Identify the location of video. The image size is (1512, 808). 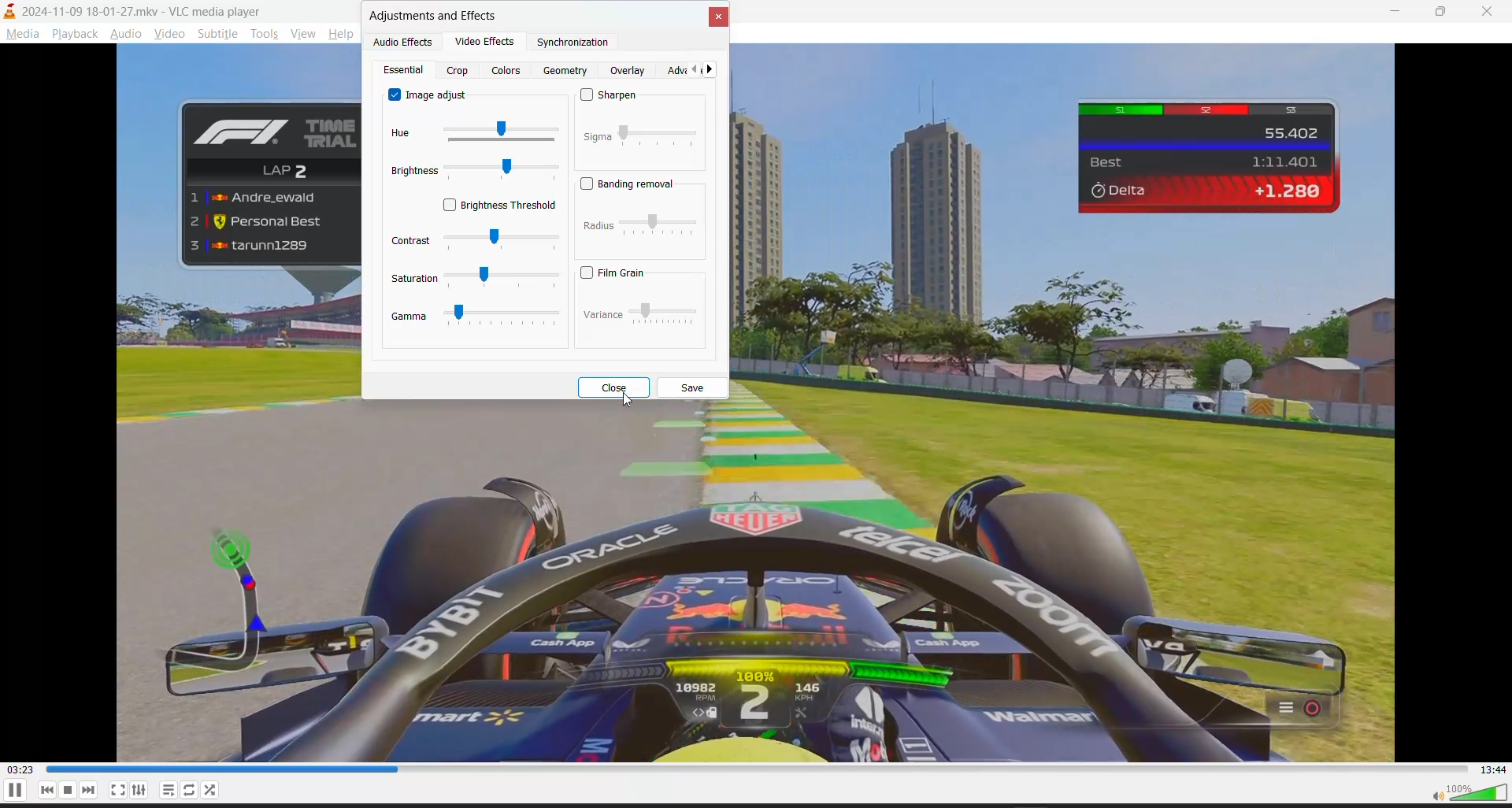
(169, 32).